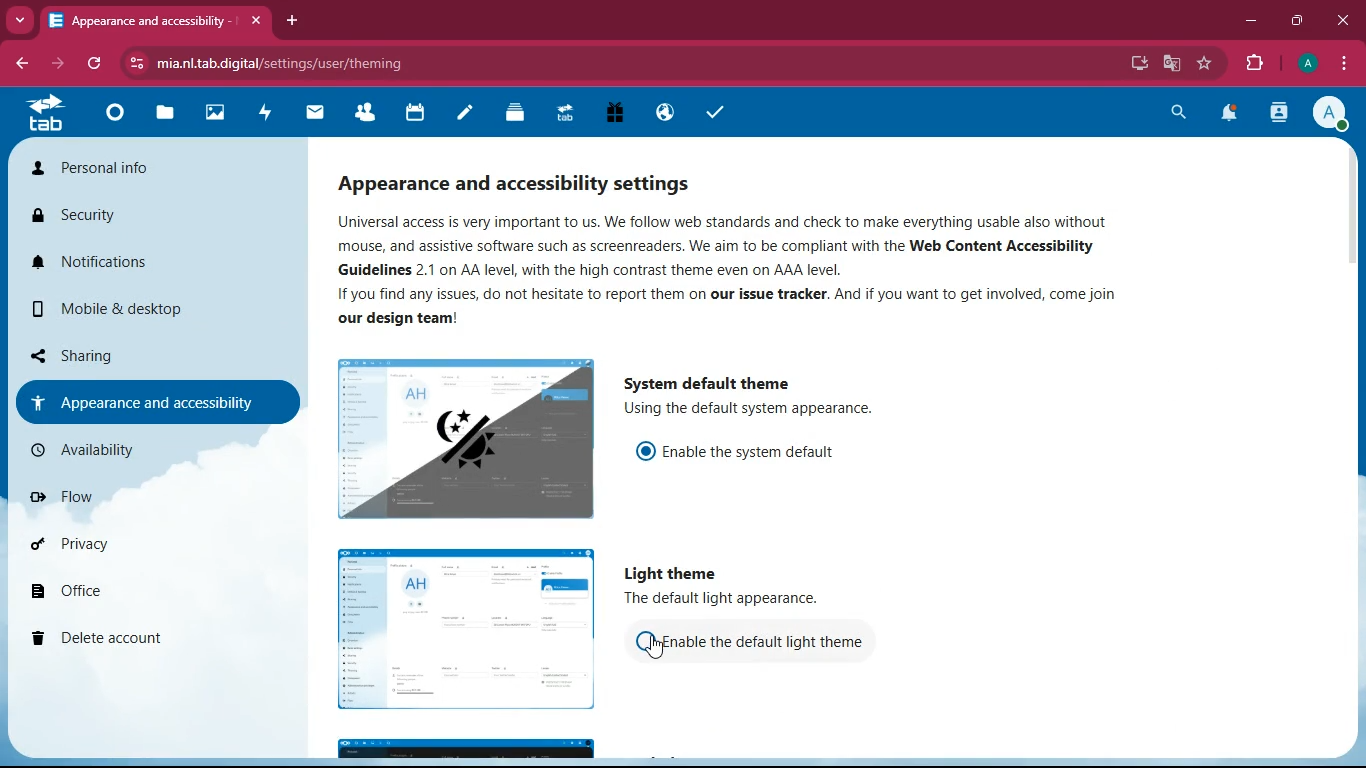 The height and width of the screenshot is (768, 1366). Describe the element at coordinates (1277, 112) in the screenshot. I see `activity` at that location.